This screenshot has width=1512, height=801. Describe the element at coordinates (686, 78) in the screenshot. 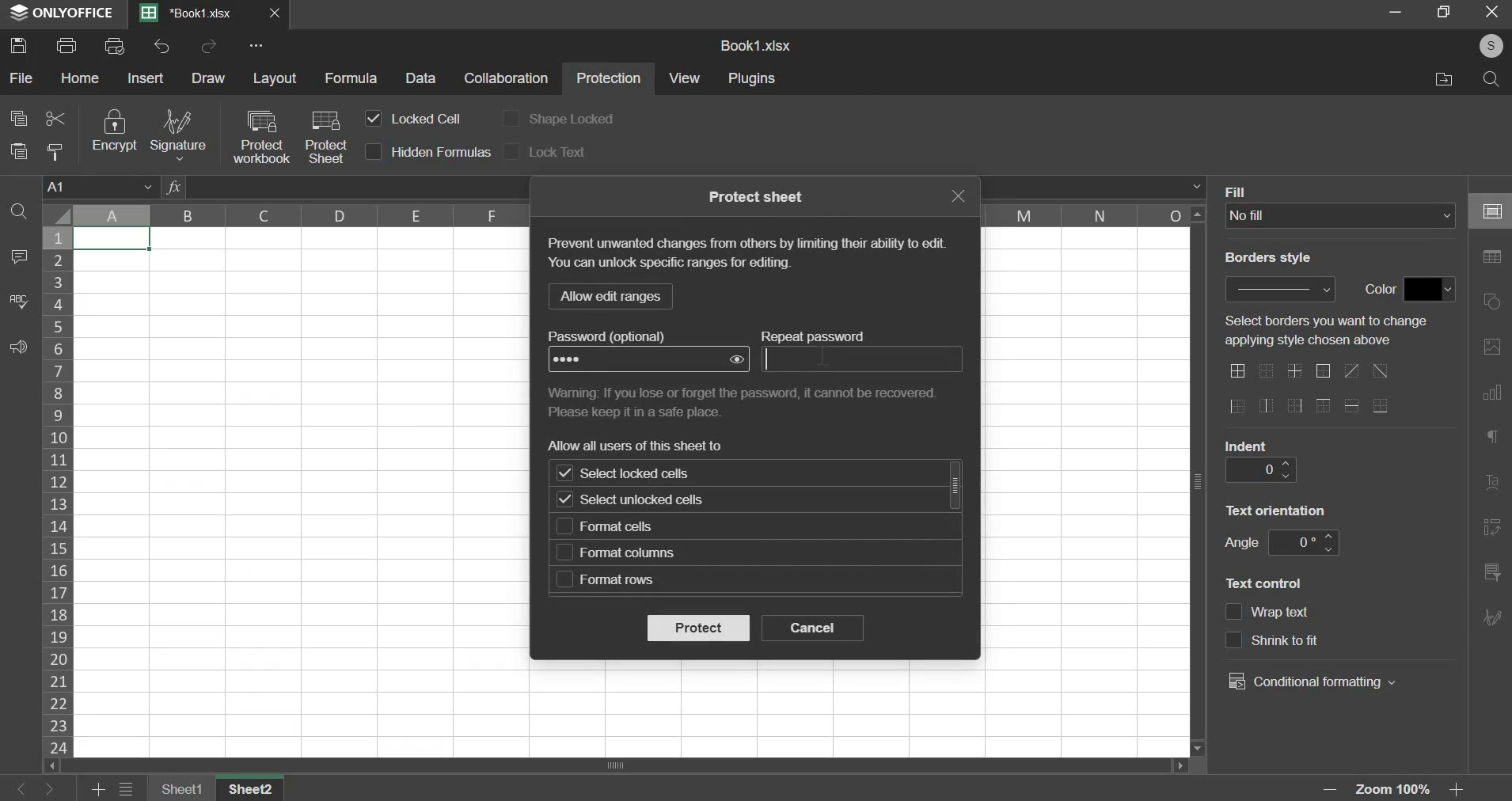

I see `view` at that location.